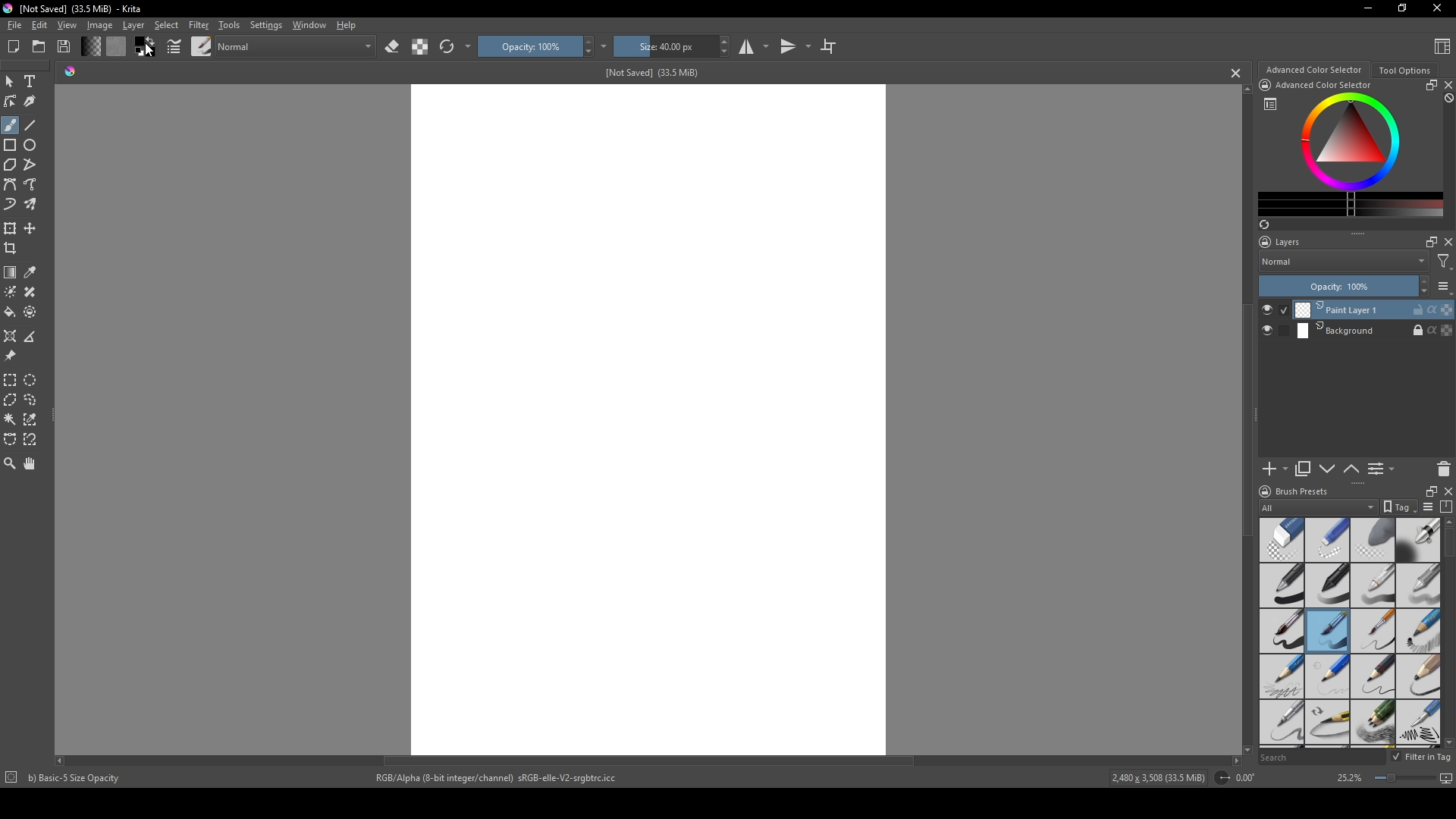  I want to click on scroll up, so click(1244, 89).